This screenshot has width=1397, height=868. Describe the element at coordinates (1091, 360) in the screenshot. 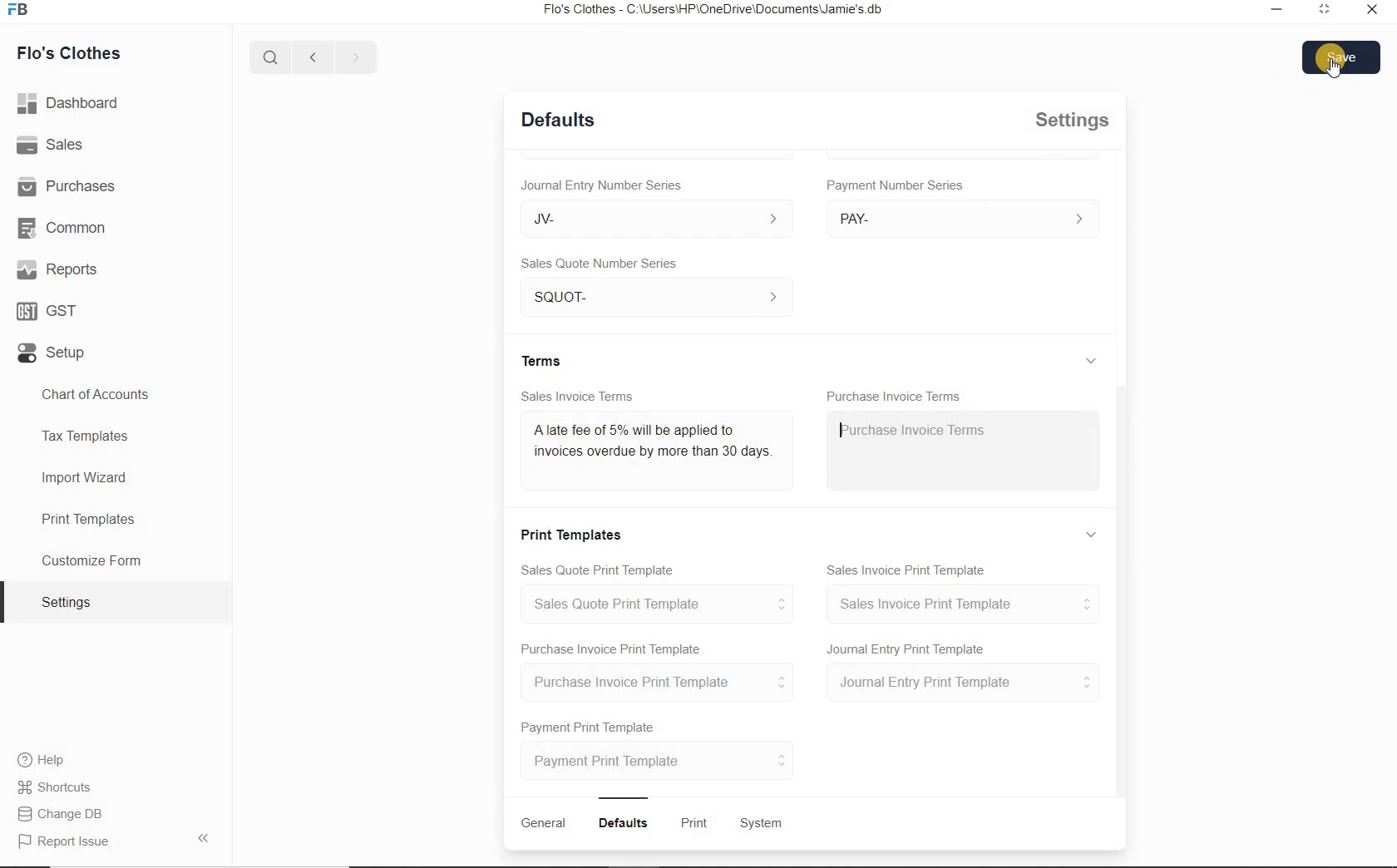

I see `Expand` at that location.